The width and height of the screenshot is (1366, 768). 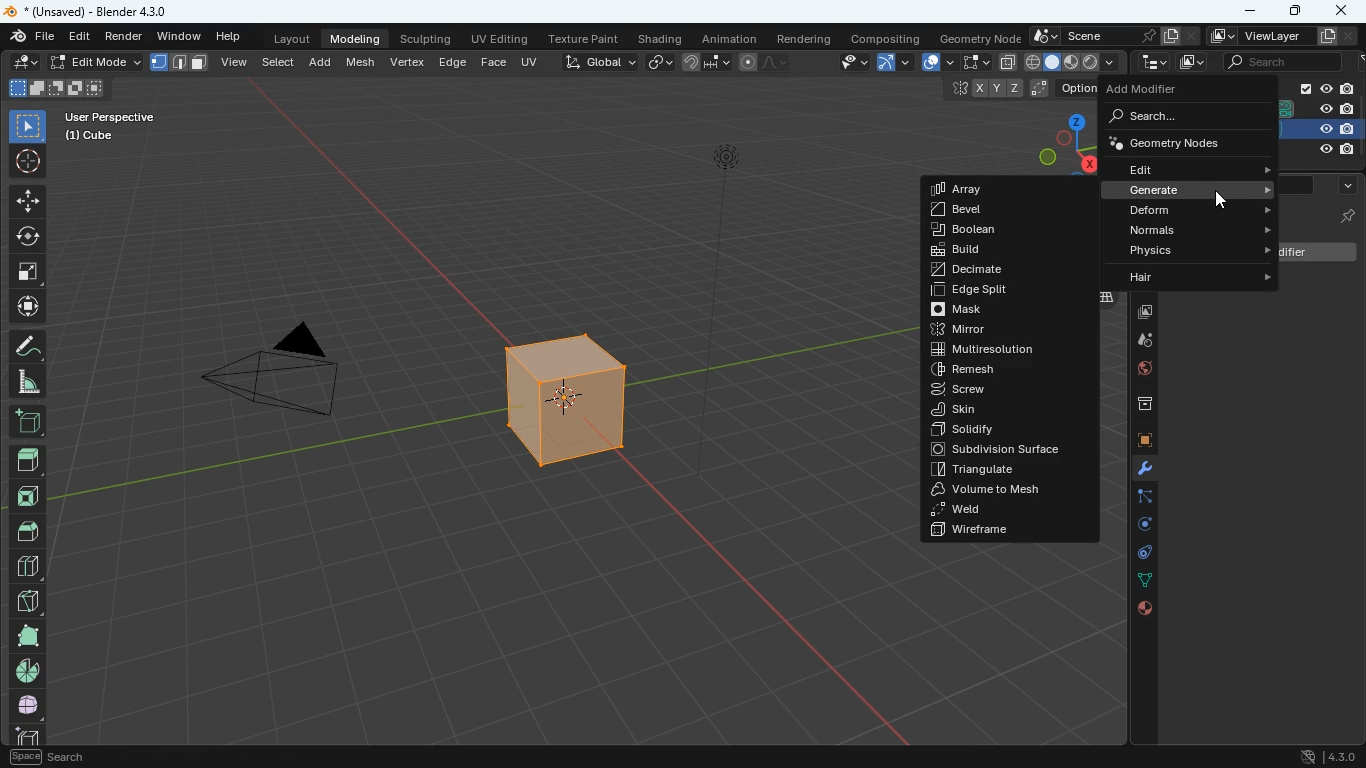 What do you see at coordinates (1108, 298) in the screenshot?
I see `layers` at bounding box center [1108, 298].